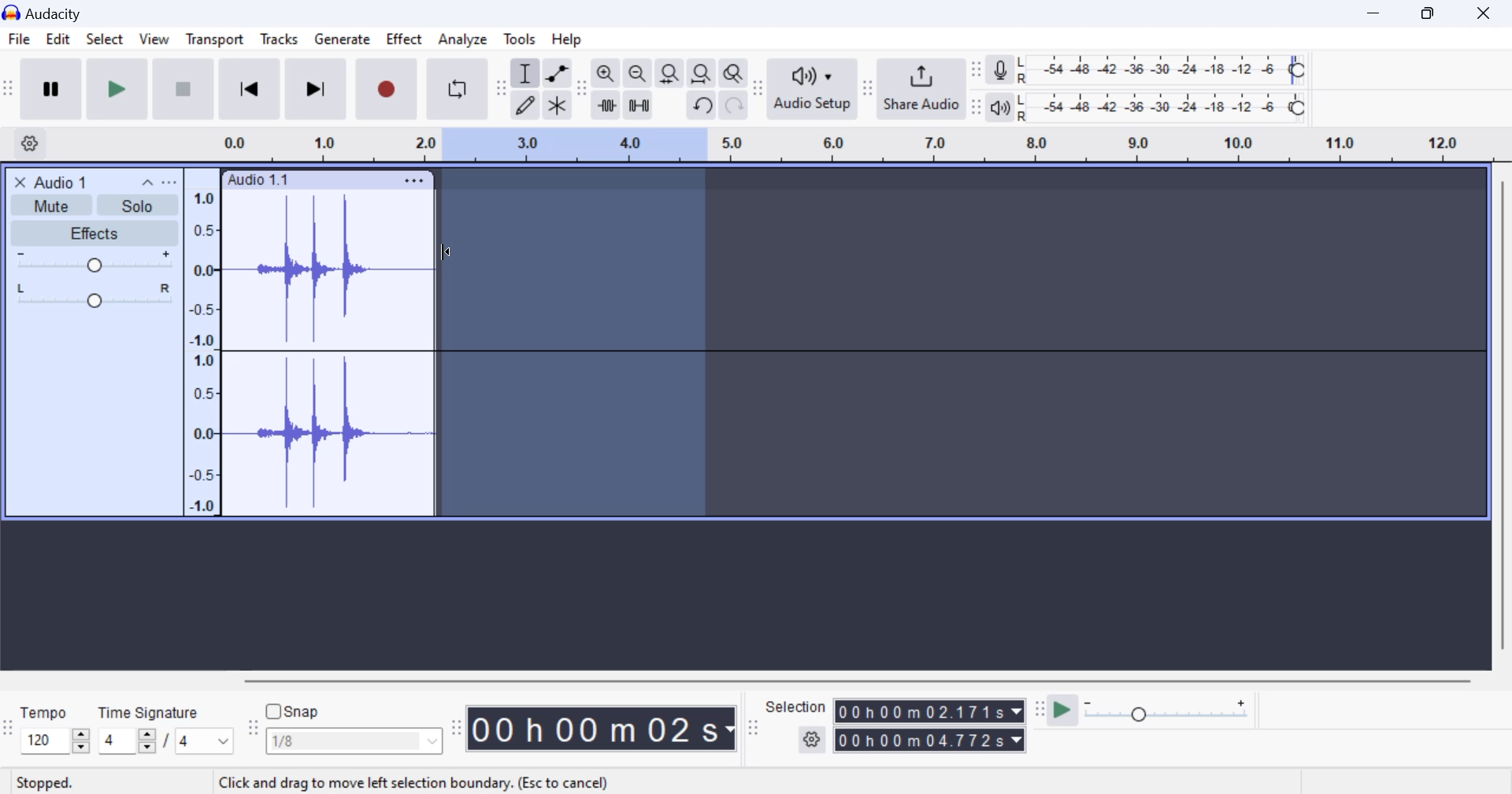 The image size is (1512, 794). What do you see at coordinates (280, 43) in the screenshot?
I see `Tracks` at bounding box center [280, 43].